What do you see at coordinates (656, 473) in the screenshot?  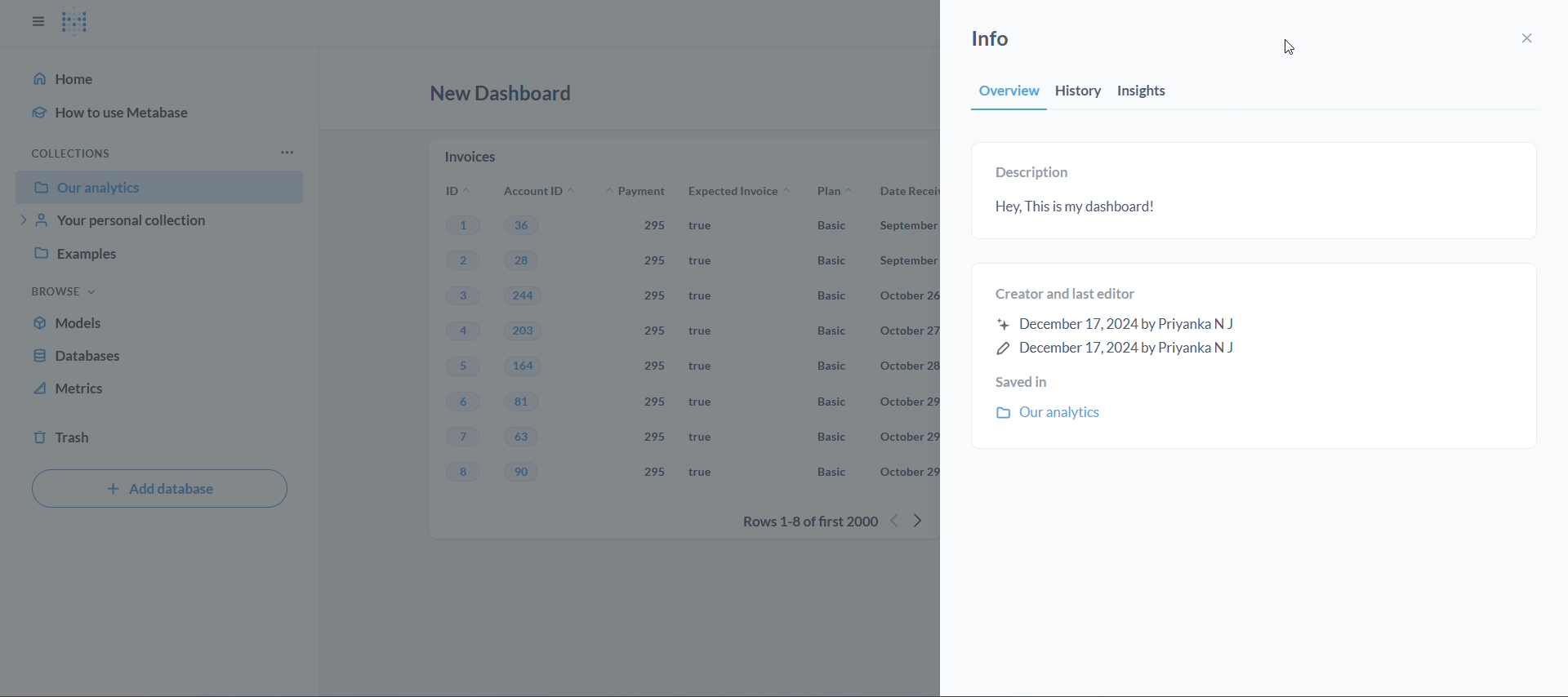 I see `295` at bounding box center [656, 473].